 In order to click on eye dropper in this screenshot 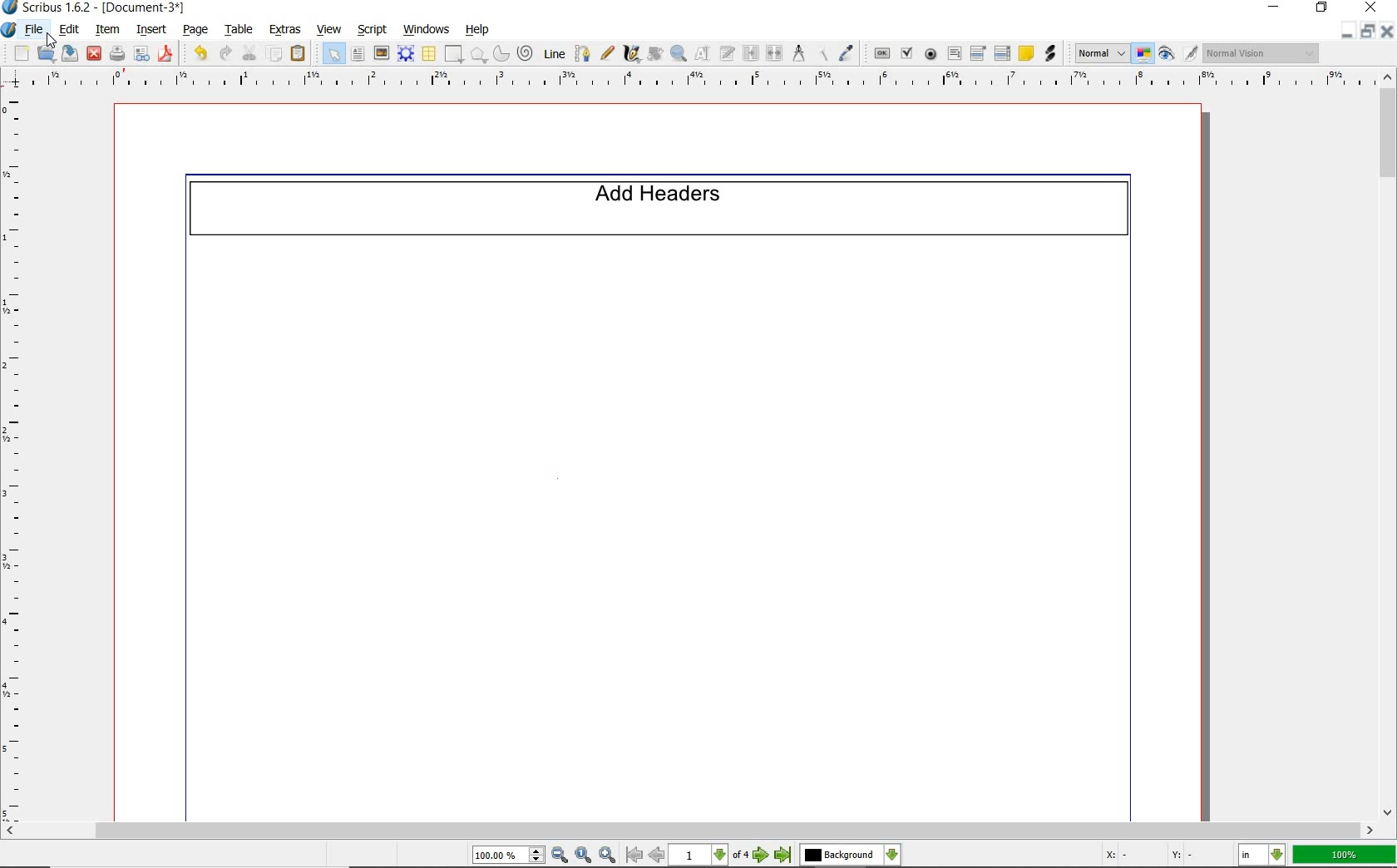, I will do `click(848, 52)`.